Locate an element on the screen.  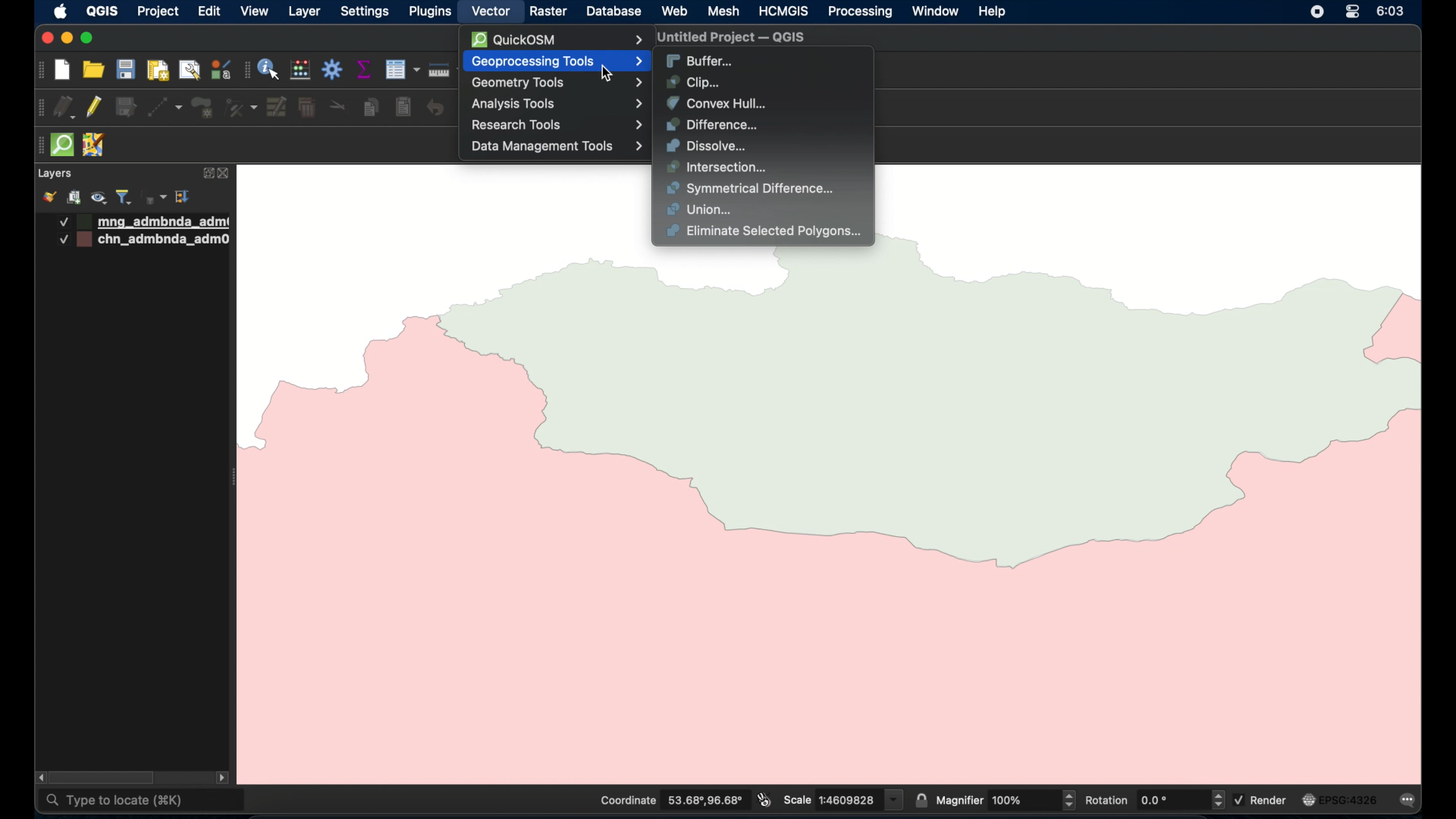
measure line is located at coordinates (446, 70).